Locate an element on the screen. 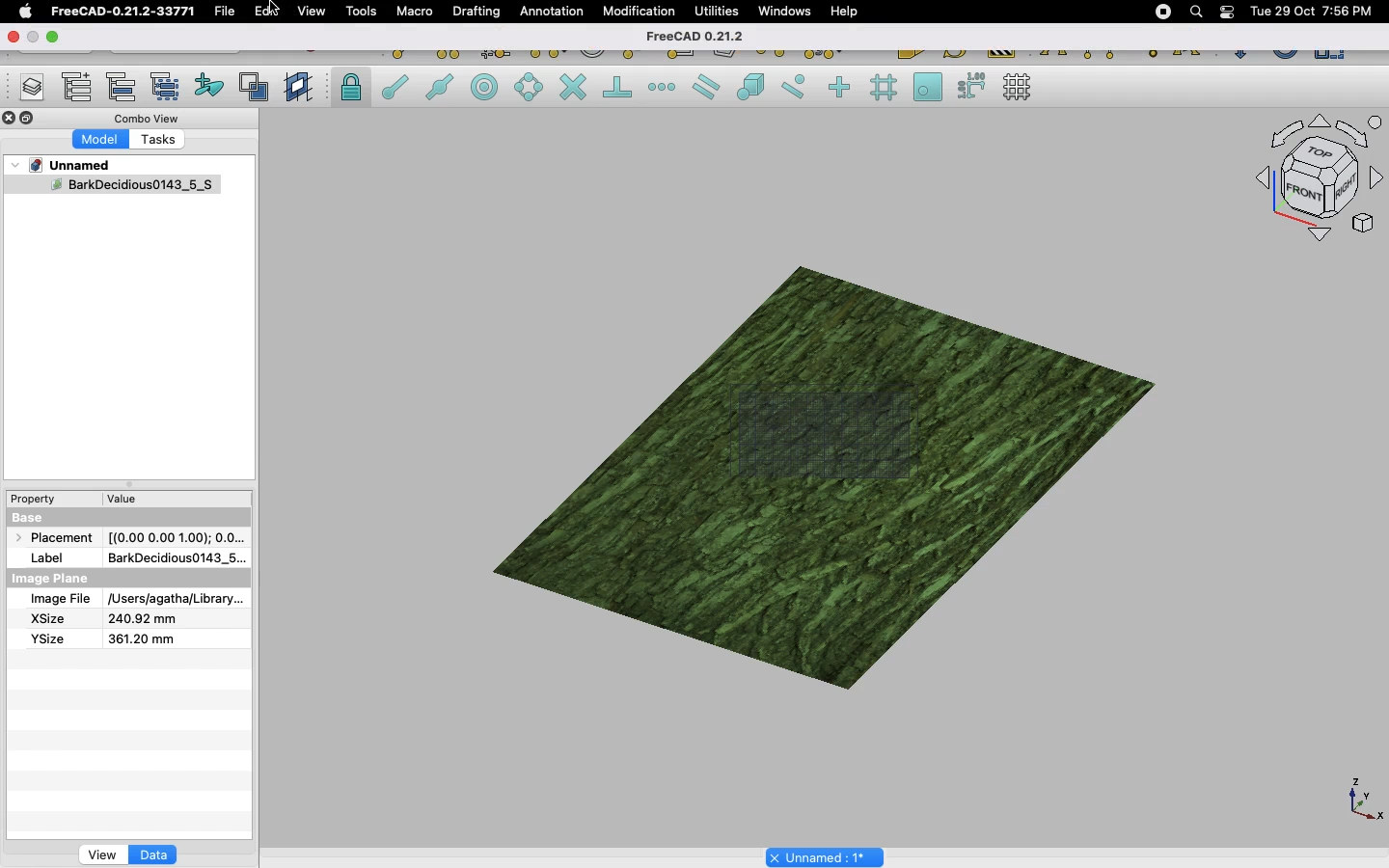 This screenshot has height=868, width=1389. Axis is located at coordinates (1361, 798).